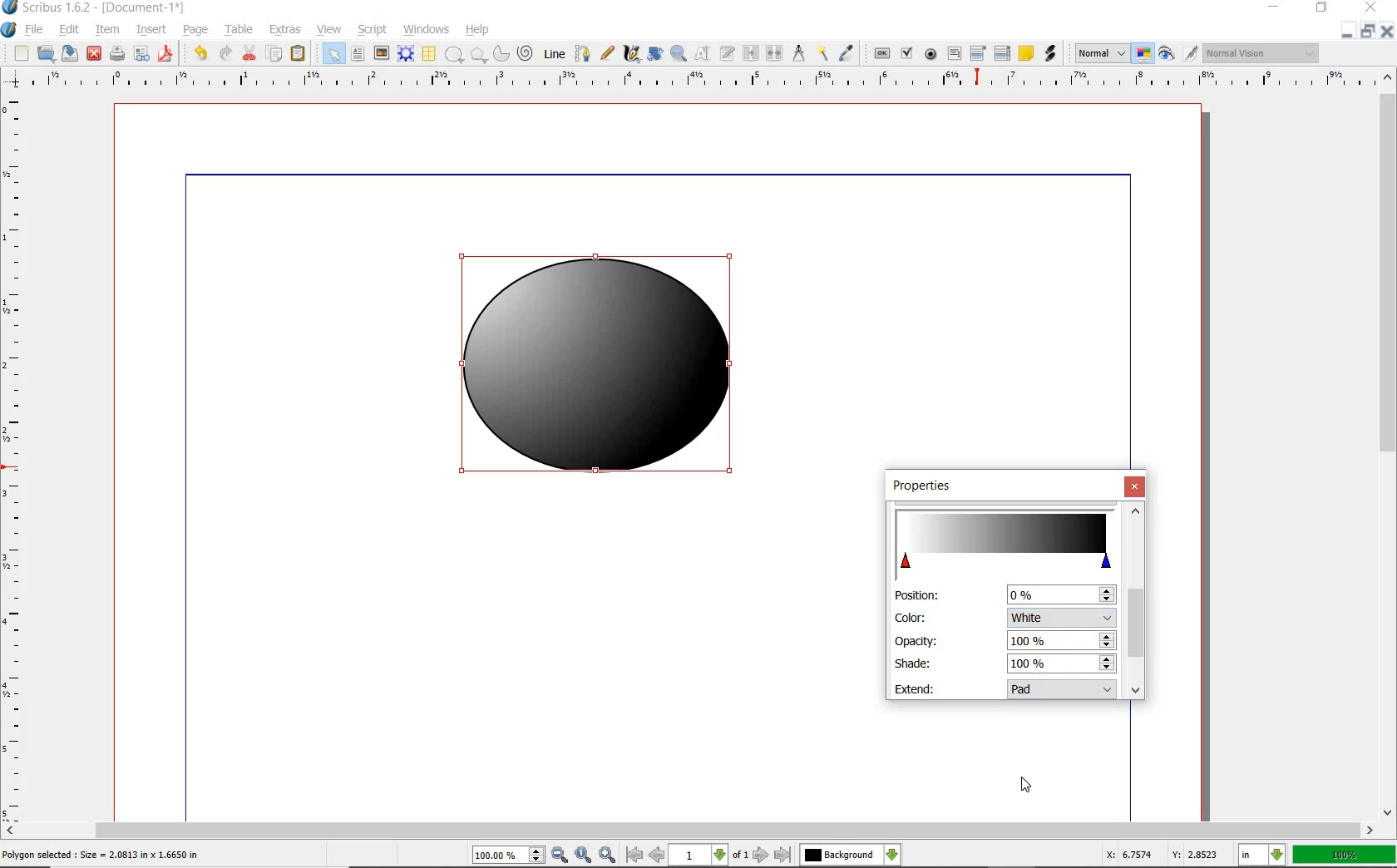  I want to click on scroll bar, so click(1135, 625).